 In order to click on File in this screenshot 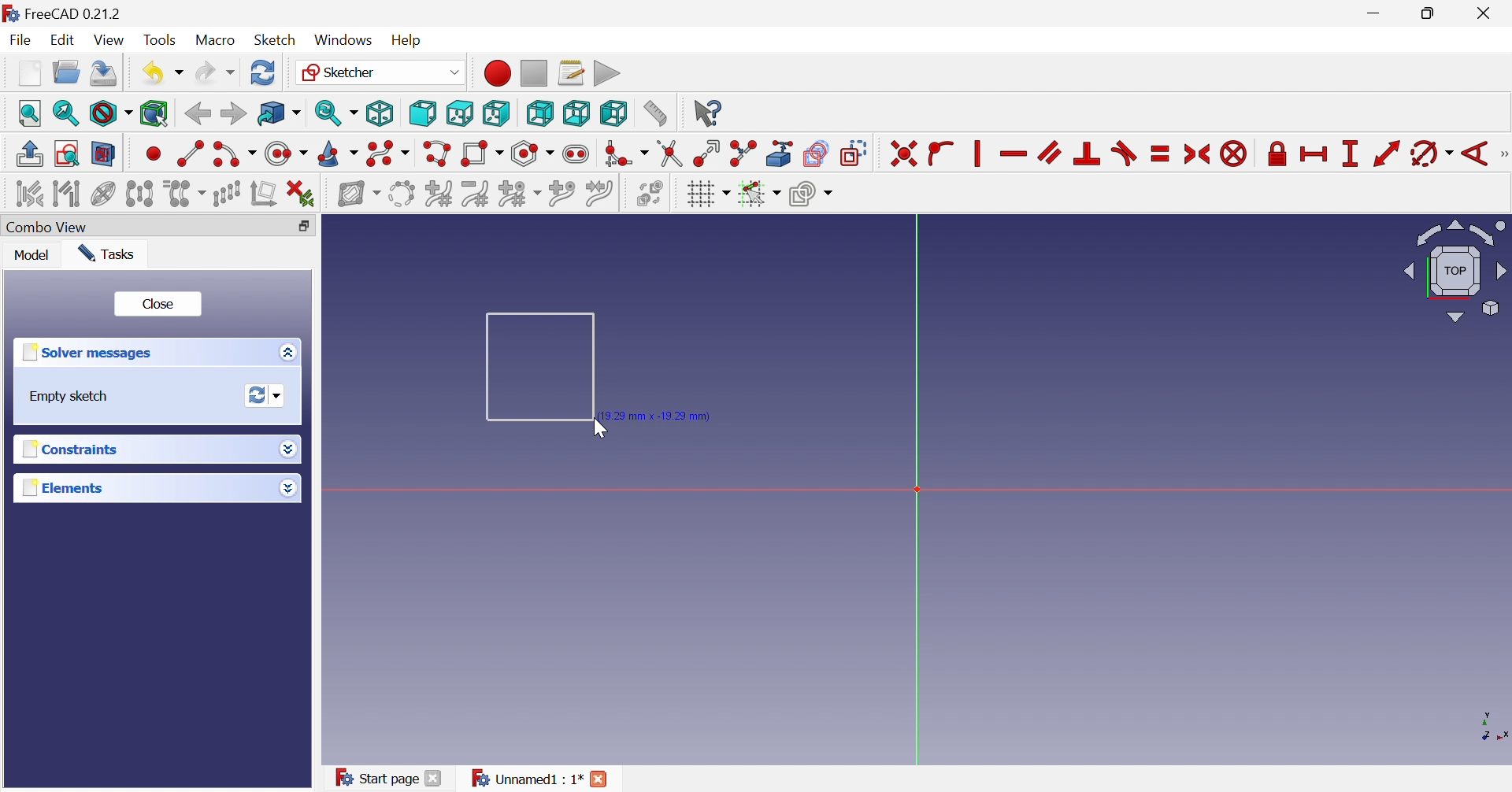, I will do `click(24, 41)`.